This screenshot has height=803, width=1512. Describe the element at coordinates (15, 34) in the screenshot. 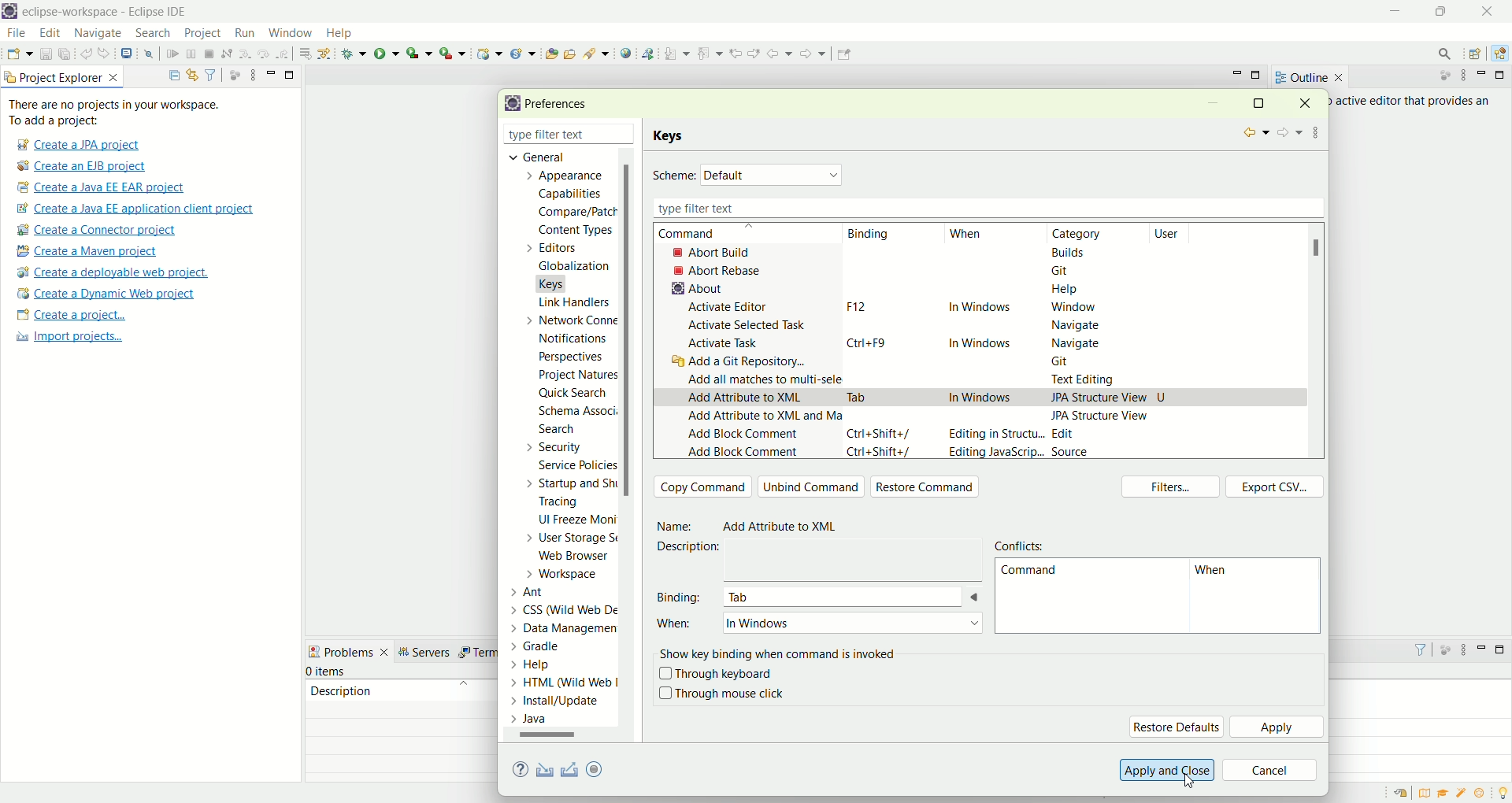

I see `file` at that location.